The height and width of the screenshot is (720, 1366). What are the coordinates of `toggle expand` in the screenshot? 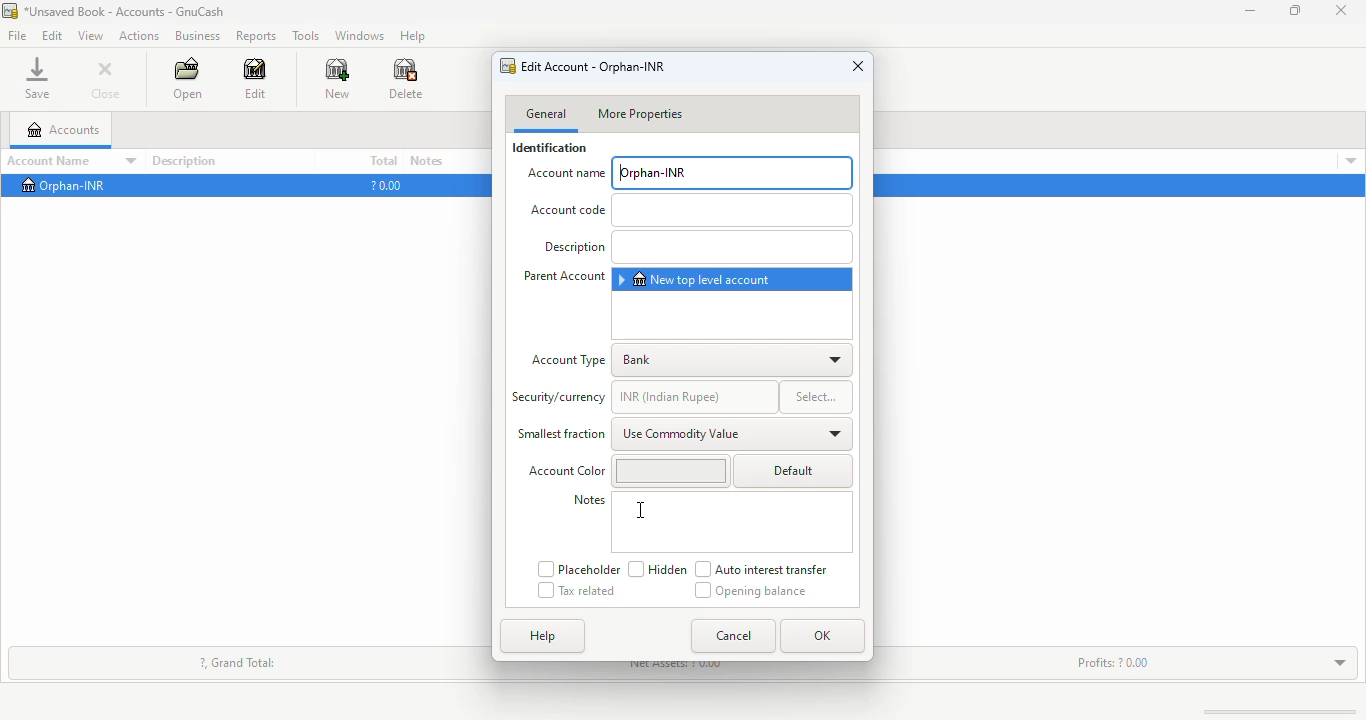 It's located at (1340, 663).